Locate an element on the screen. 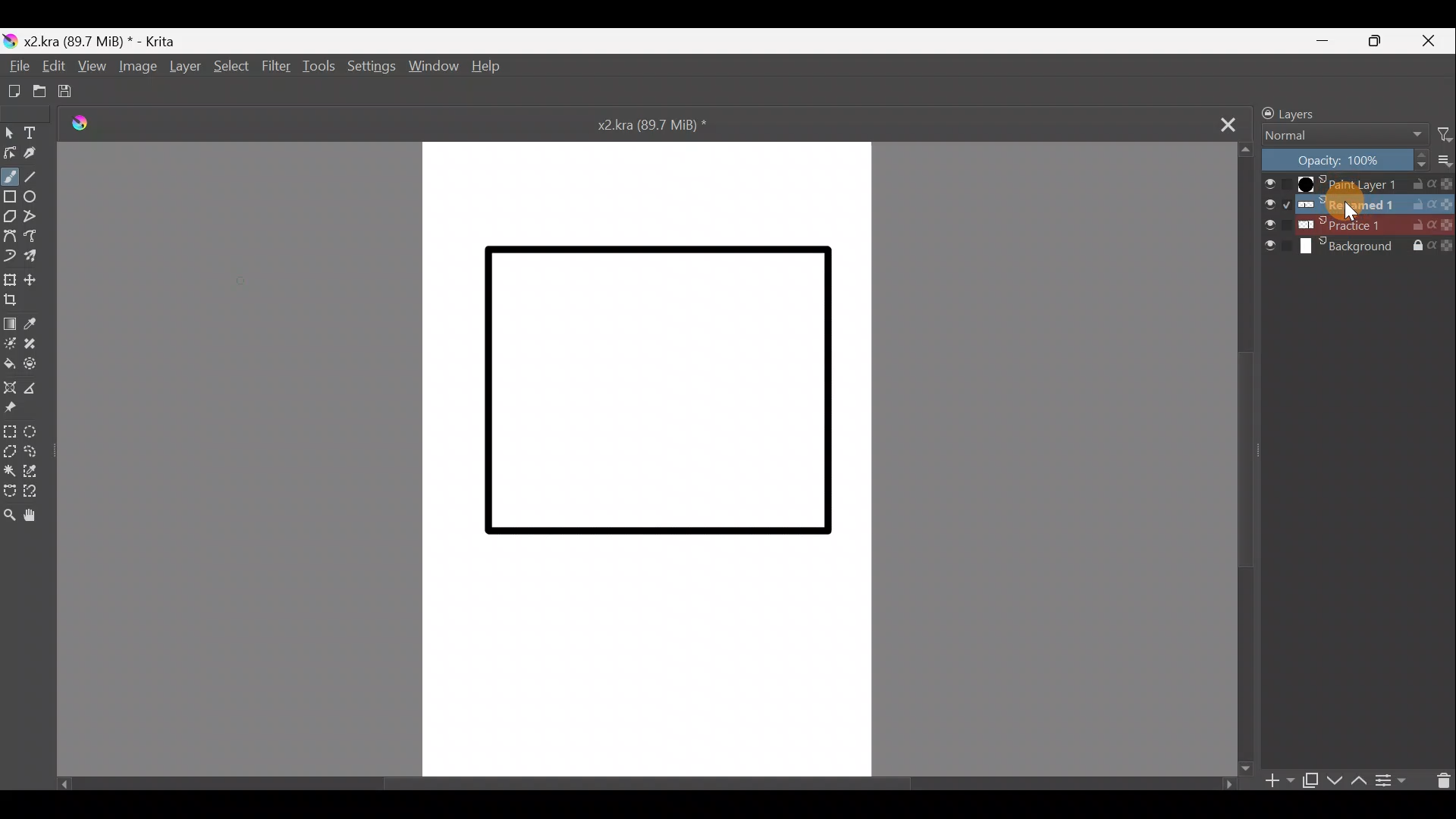 The height and width of the screenshot is (819, 1456). Line tool is located at coordinates (42, 177).